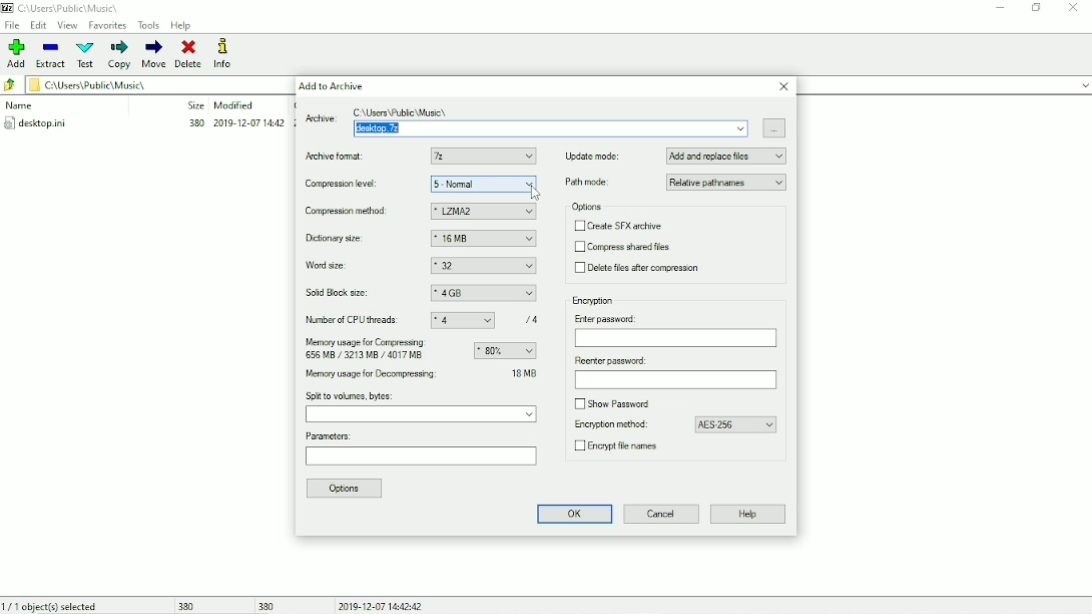 Image resolution: width=1092 pixels, height=614 pixels. Describe the element at coordinates (483, 212) in the screenshot. I see `LZMA2` at that location.